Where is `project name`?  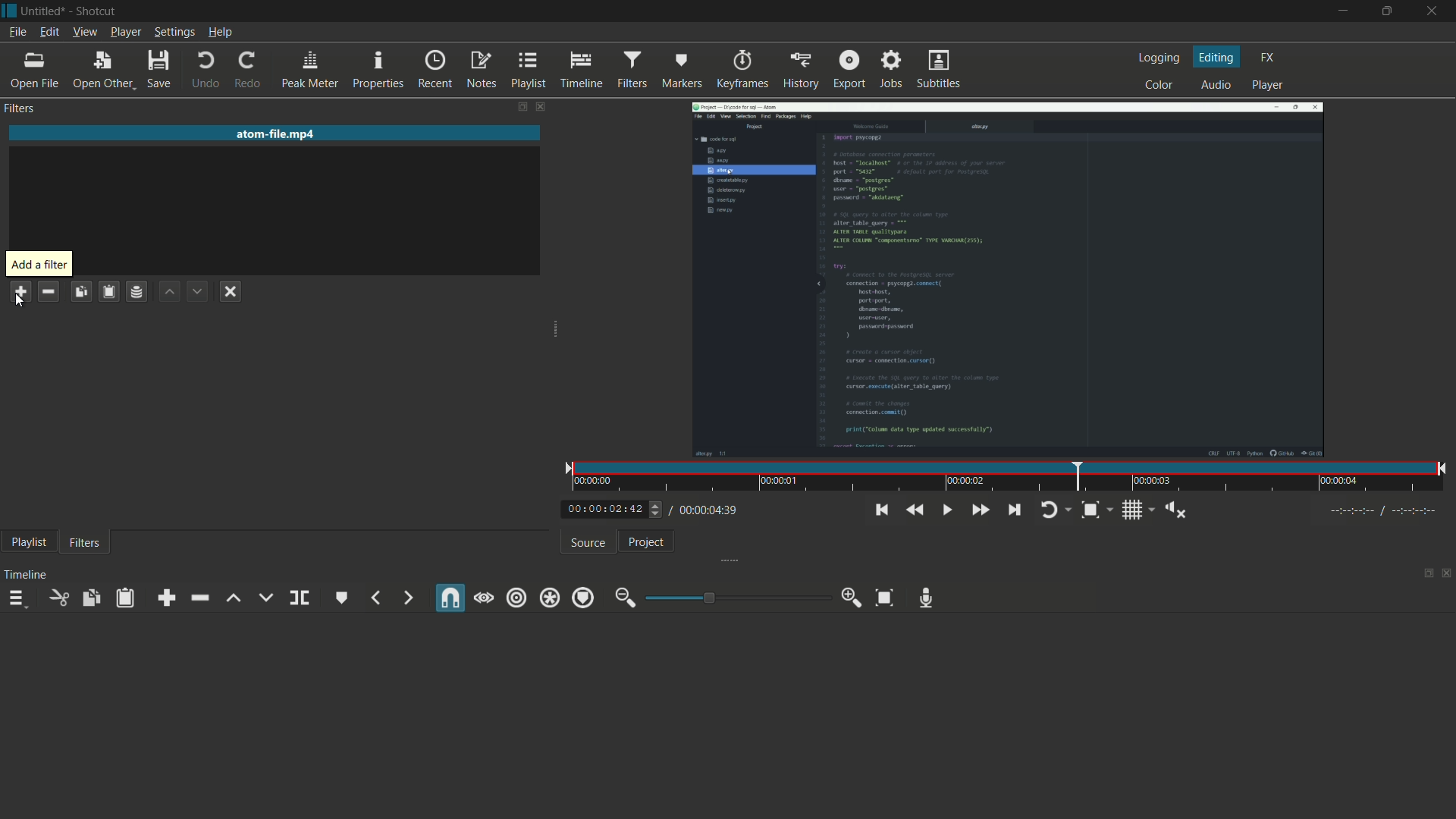
project name is located at coordinates (44, 11).